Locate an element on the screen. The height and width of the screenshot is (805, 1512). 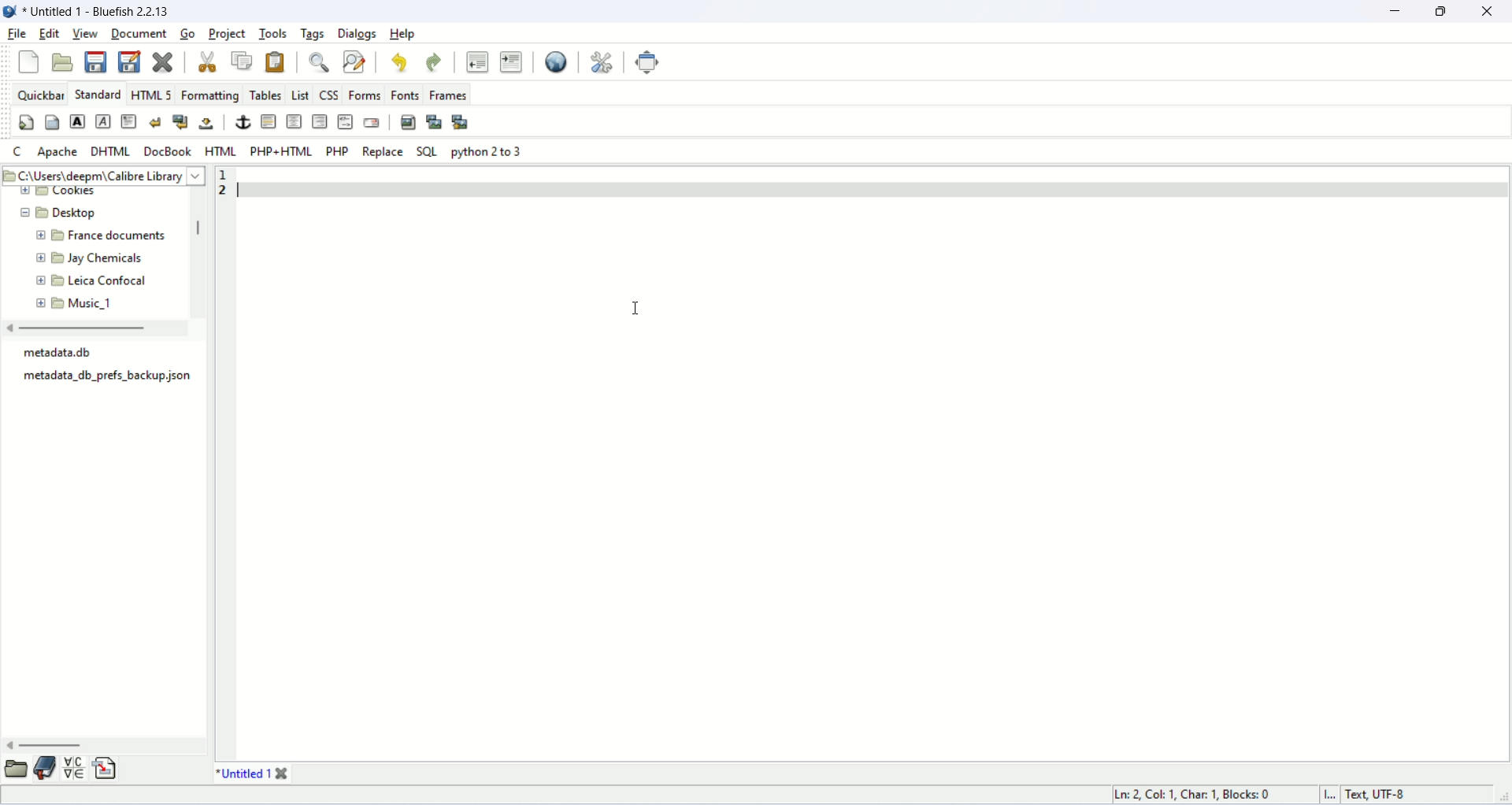
open file is located at coordinates (62, 62).